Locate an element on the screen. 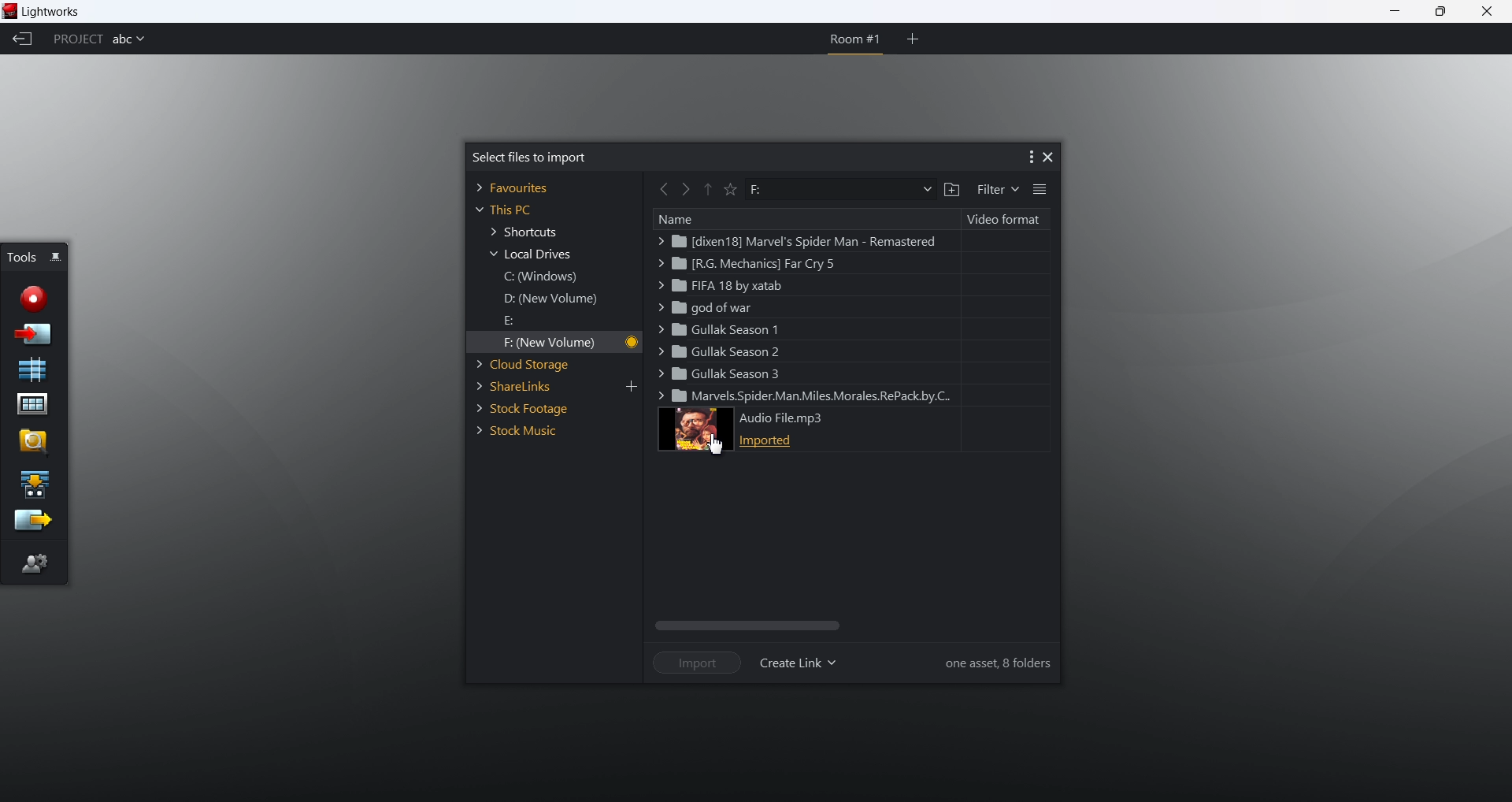 The height and width of the screenshot is (802, 1512). back is located at coordinates (660, 189).